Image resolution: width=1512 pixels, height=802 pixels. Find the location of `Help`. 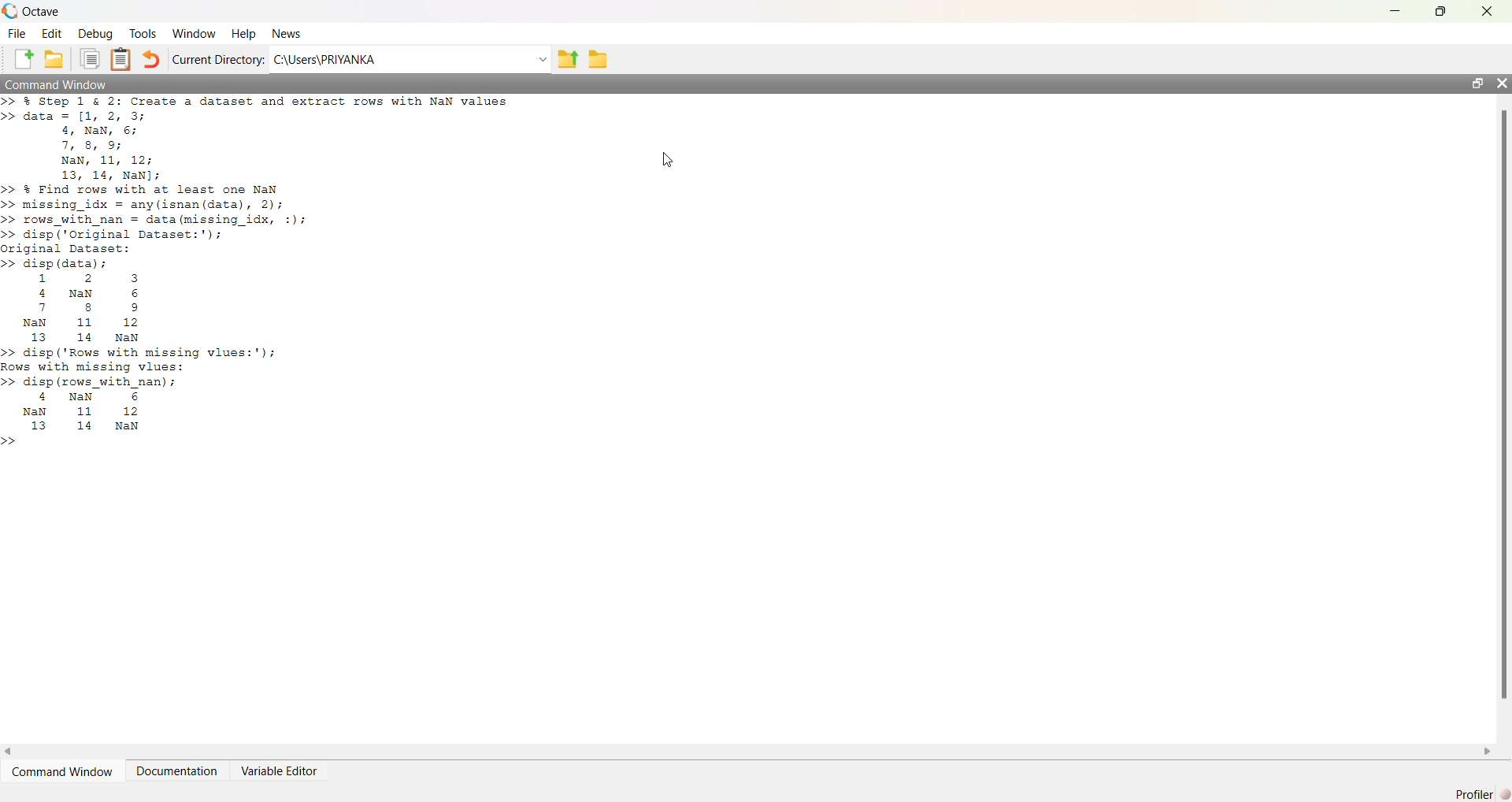

Help is located at coordinates (243, 35).